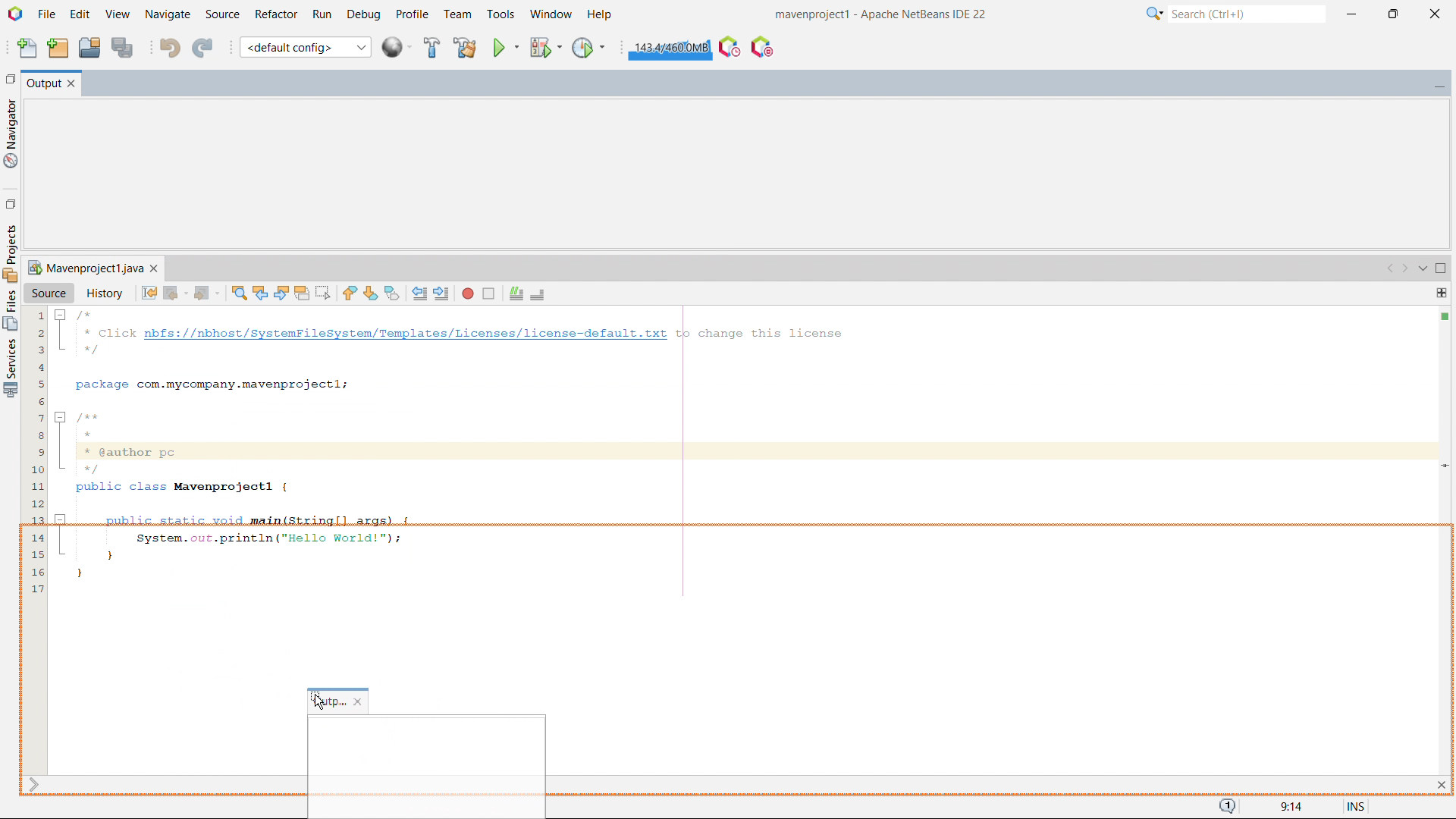  What do you see at coordinates (11, 310) in the screenshot?
I see `files` at bounding box center [11, 310].